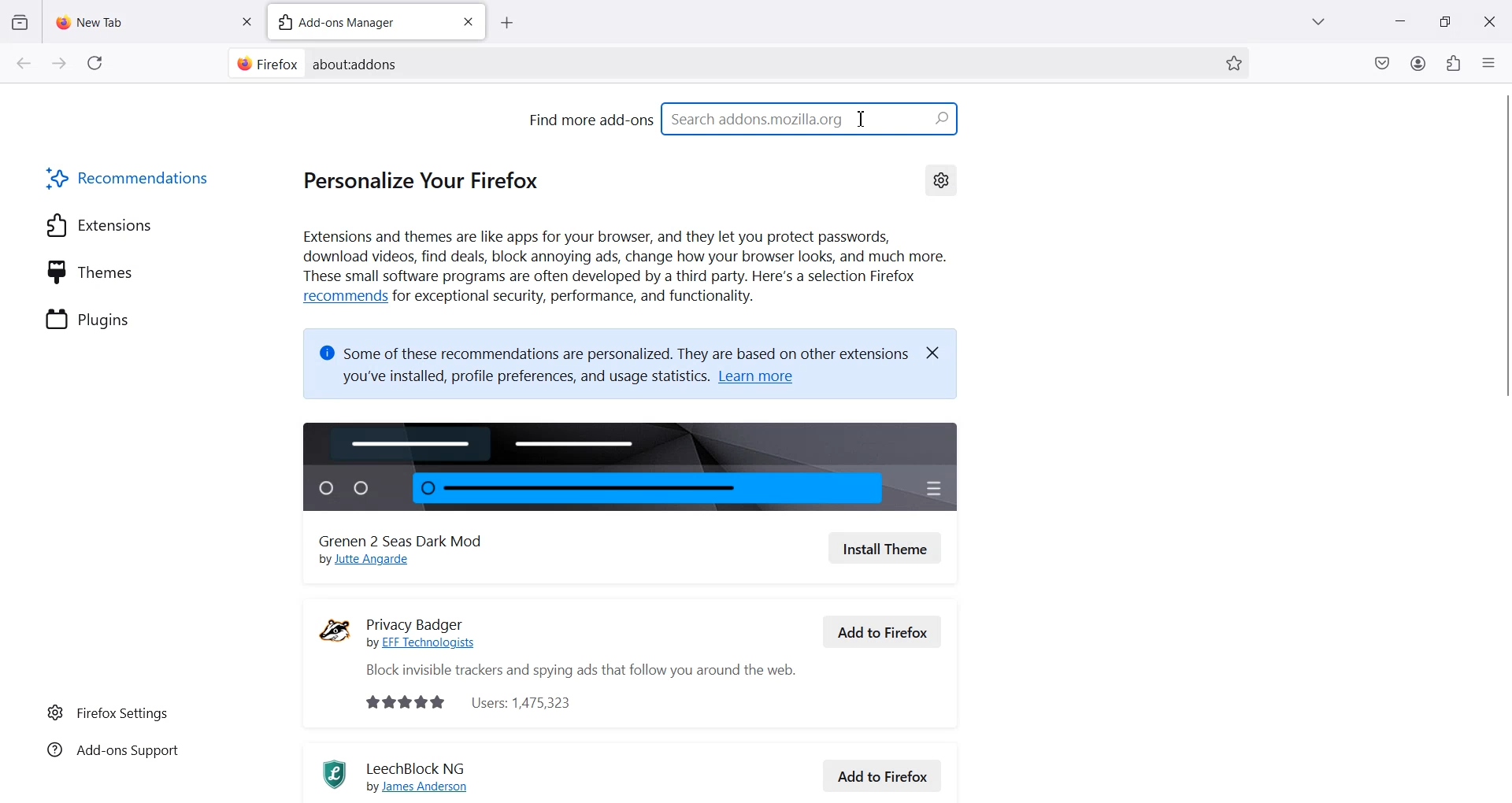 The image size is (1512, 803). What do you see at coordinates (863, 119) in the screenshot?
I see `Text Cursor` at bounding box center [863, 119].